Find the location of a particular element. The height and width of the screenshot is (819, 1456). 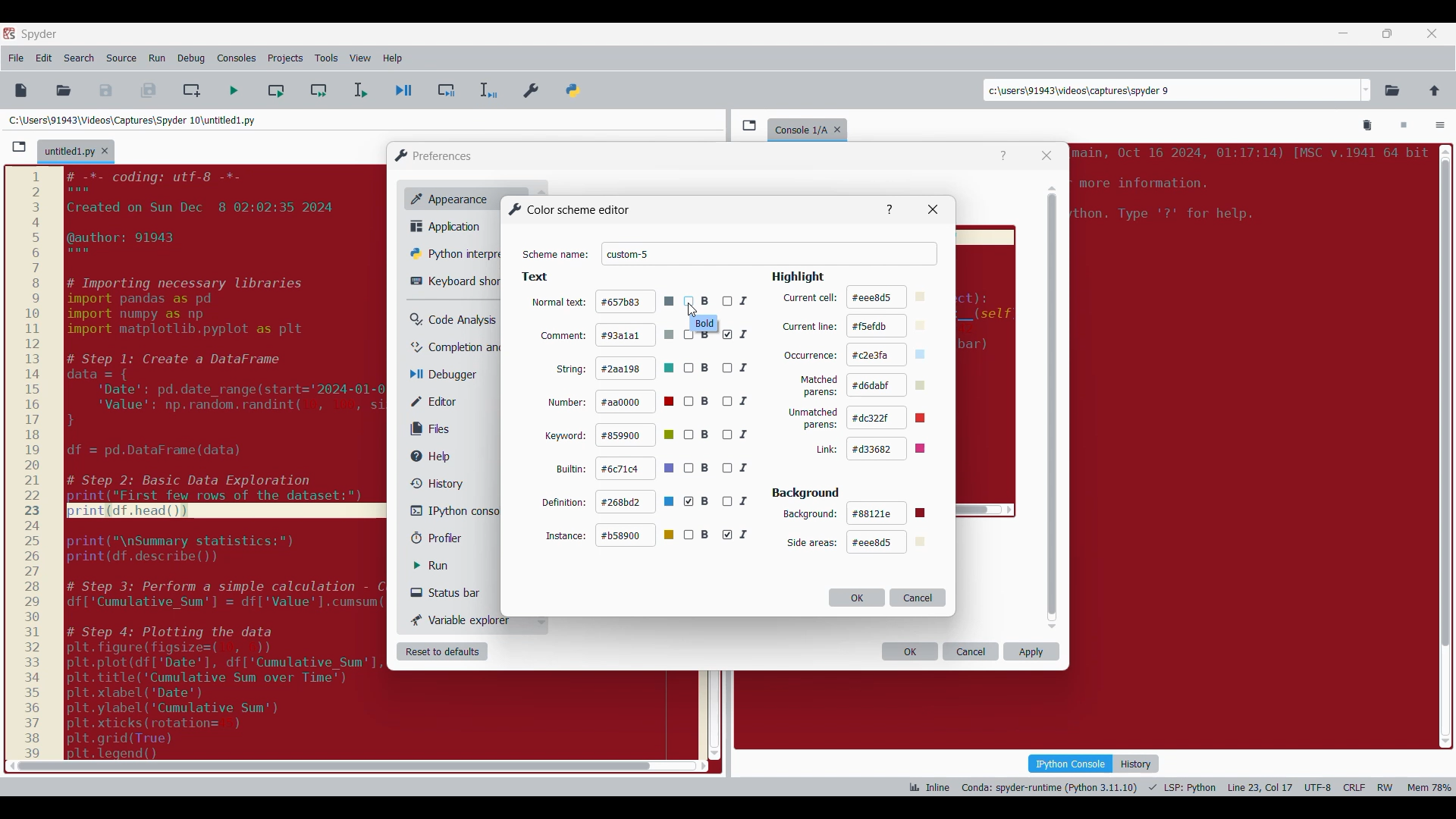

#eee8d5 is located at coordinates (888, 296).